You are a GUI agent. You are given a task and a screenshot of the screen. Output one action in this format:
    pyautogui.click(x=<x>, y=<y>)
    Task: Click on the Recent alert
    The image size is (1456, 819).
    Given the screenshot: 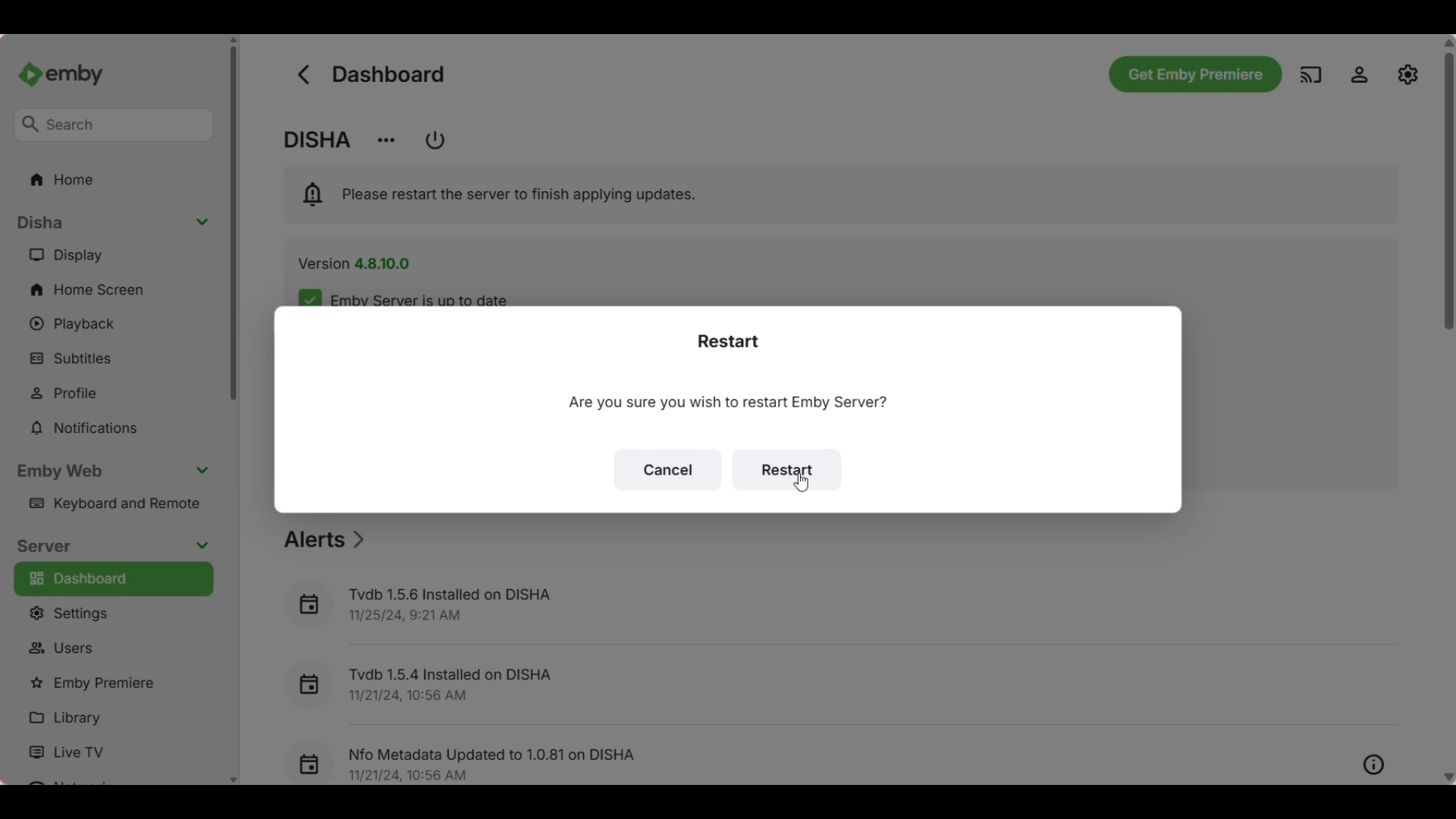 What is the action you would take?
    pyautogui.click(x=839, y=684)
    